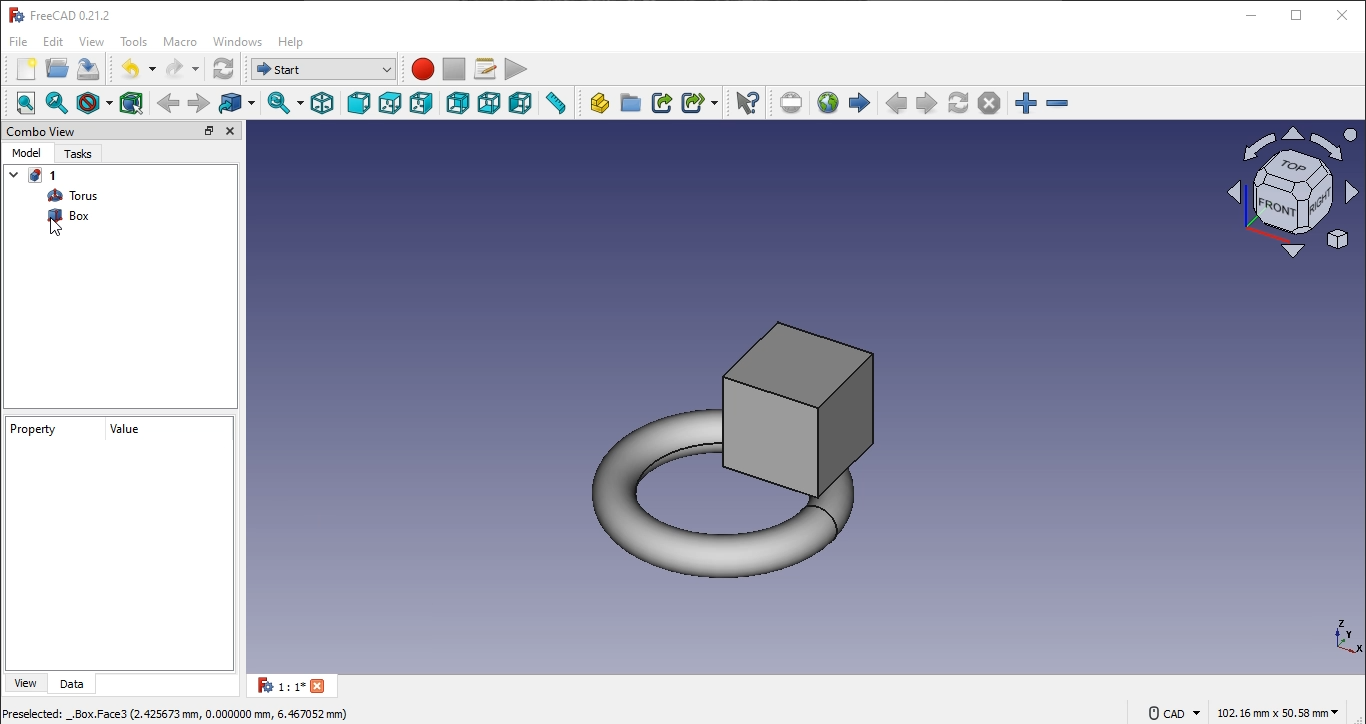 This screenshot has height=724, width=1366. Describe the element at coordinates (200, 102) in the screenshot. I see `forward` at that location.